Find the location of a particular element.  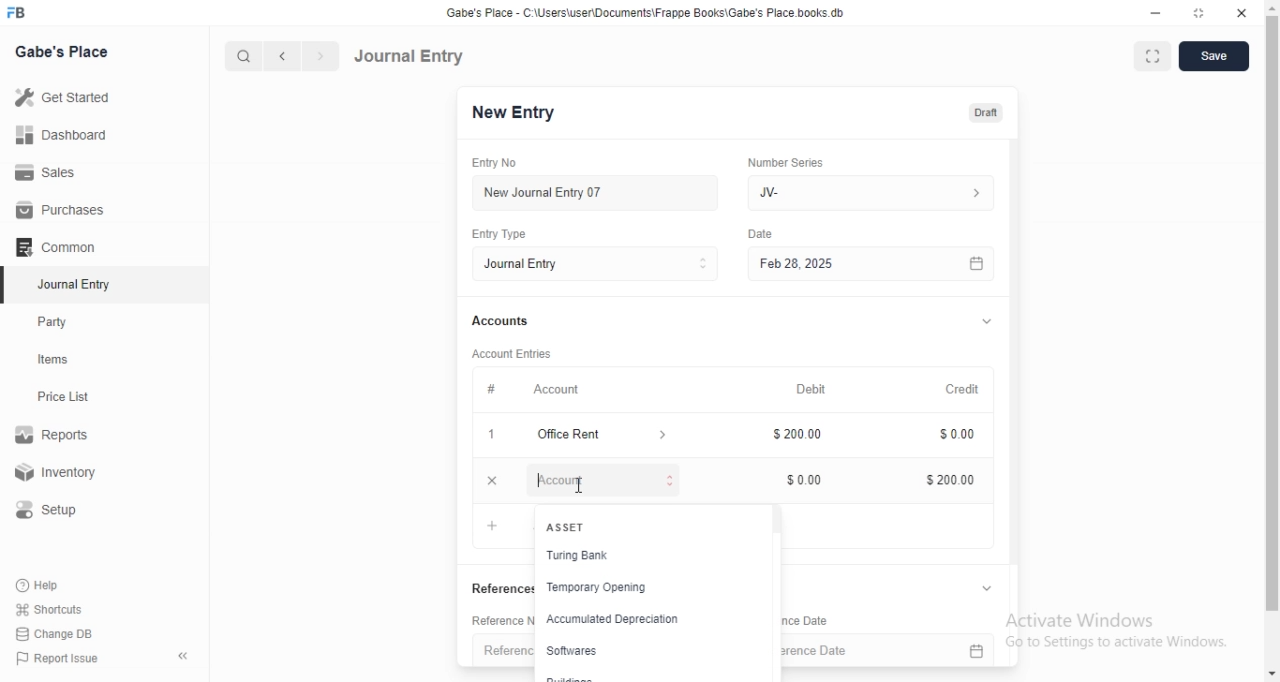

New Journal Entry 07 is located at coordinates (550, 193).